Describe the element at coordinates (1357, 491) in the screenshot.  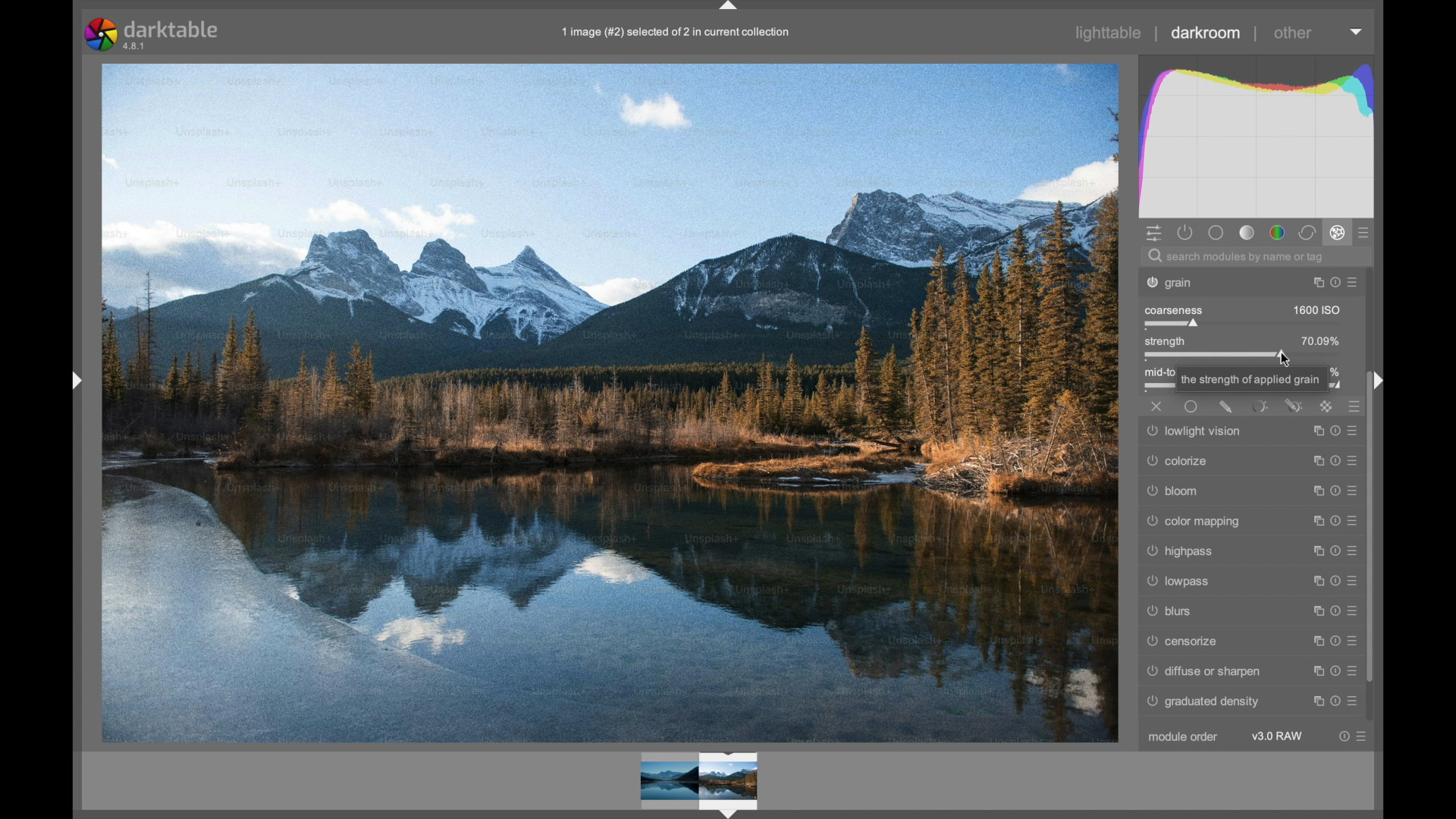
I see `presets` at that location.